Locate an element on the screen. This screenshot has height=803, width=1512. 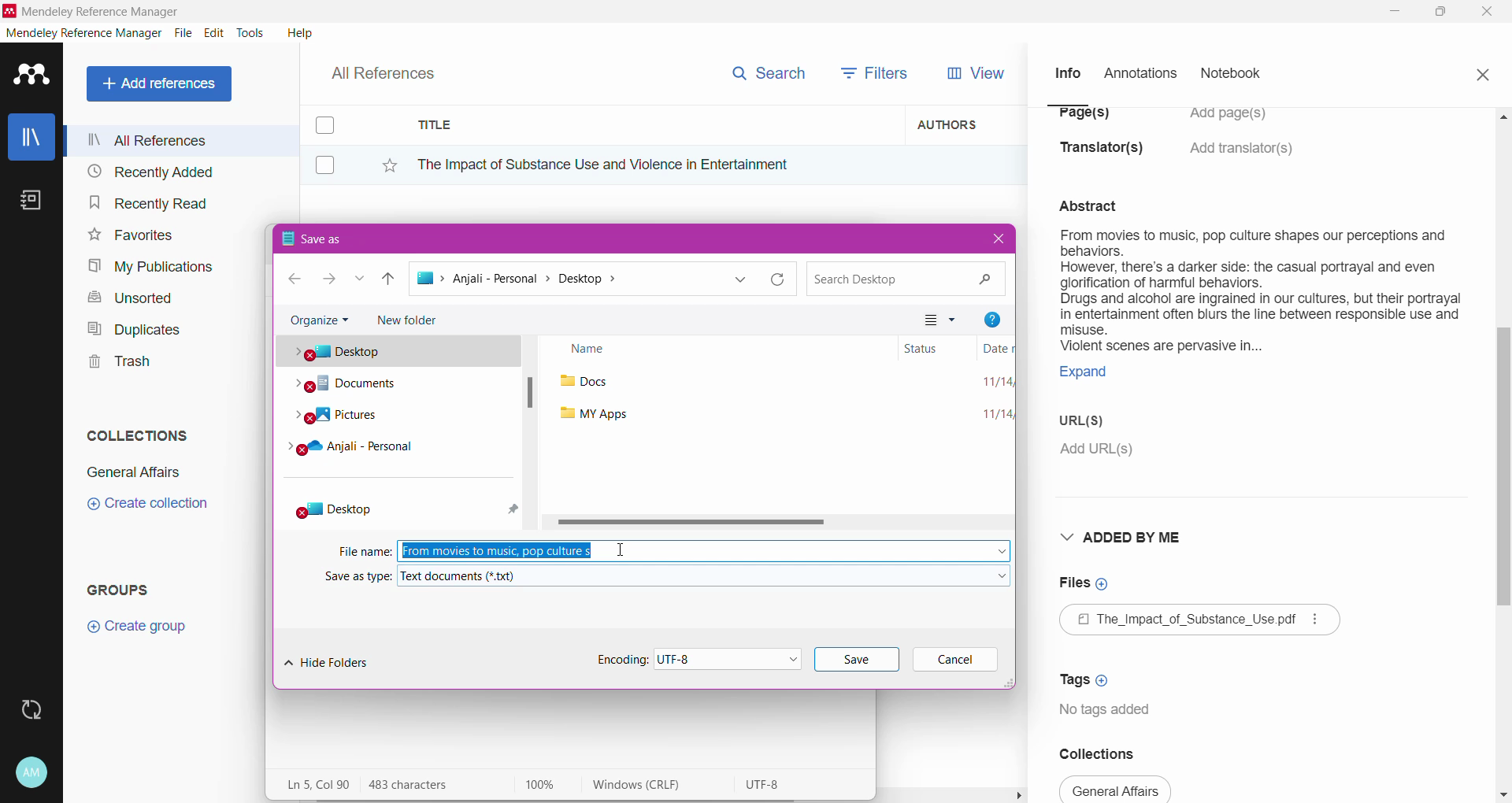
File is located at coordinates (183, 34).